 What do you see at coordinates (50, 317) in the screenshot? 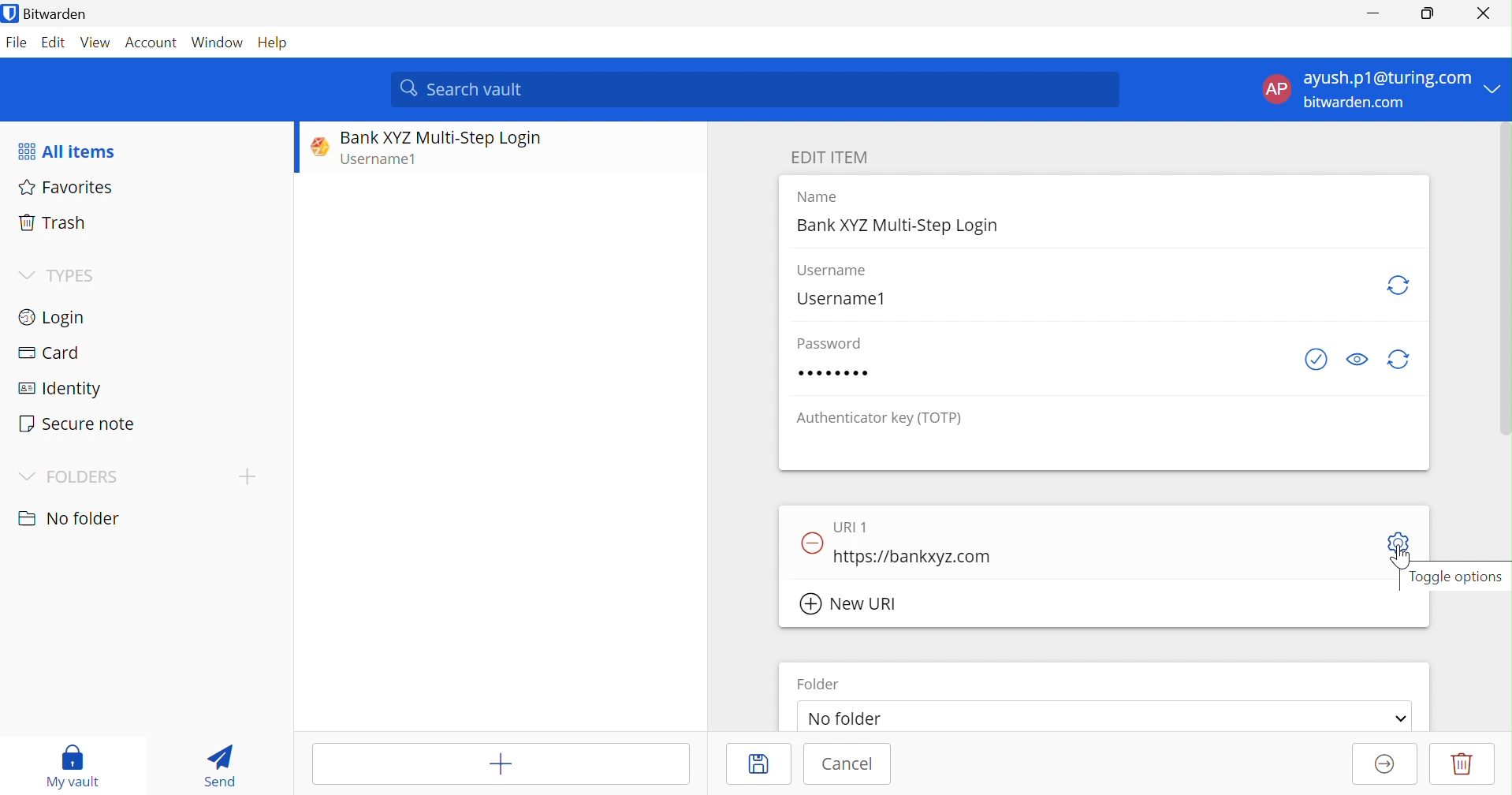
I see `Login` at bounding box center [50, 317].